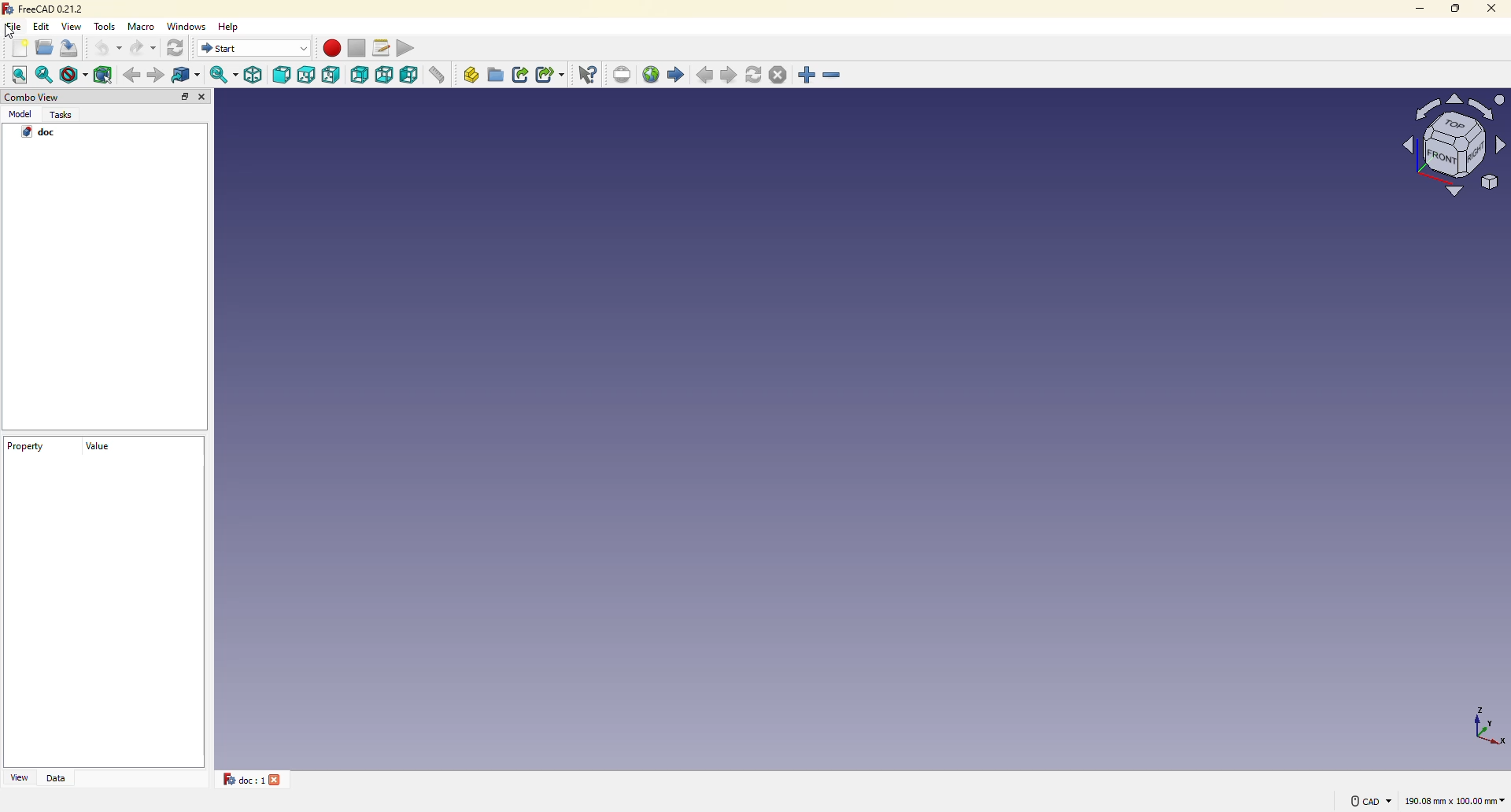 The width and height of the screenshot is (1511, 812). Describe the element at coordinates (57, 778) in the screenshot. I see `data` at that location.